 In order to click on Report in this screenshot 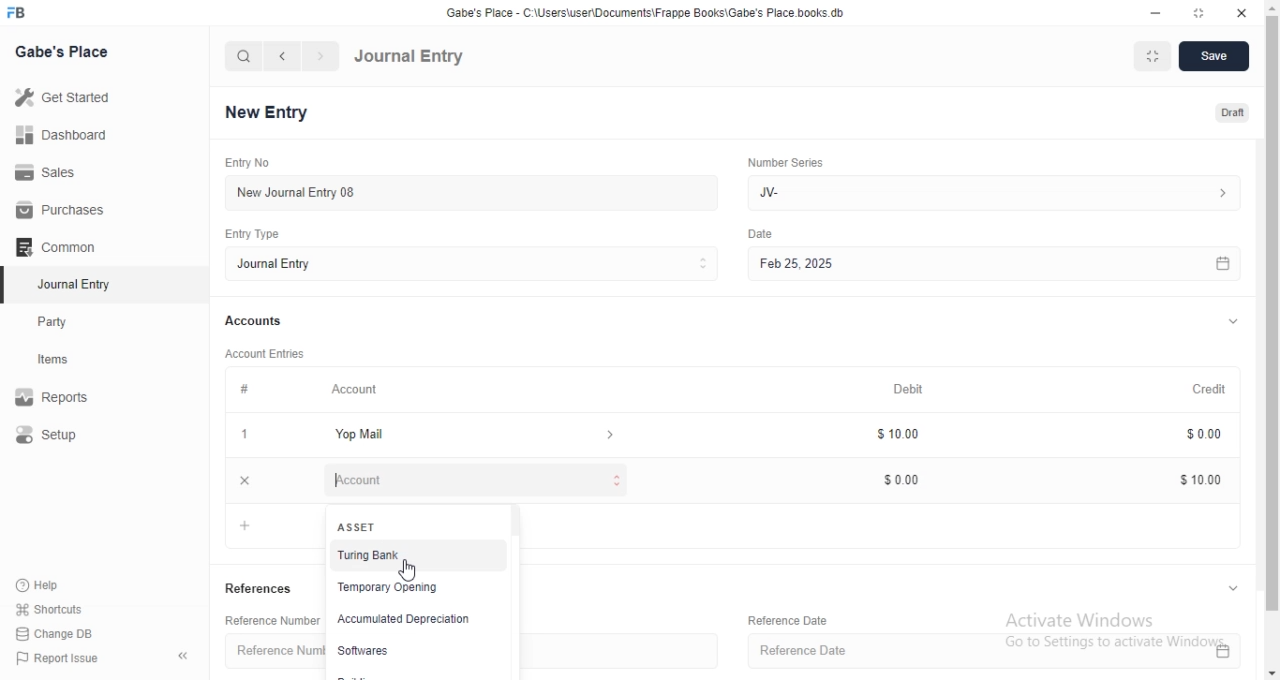, I will do `click(67, 397)`.